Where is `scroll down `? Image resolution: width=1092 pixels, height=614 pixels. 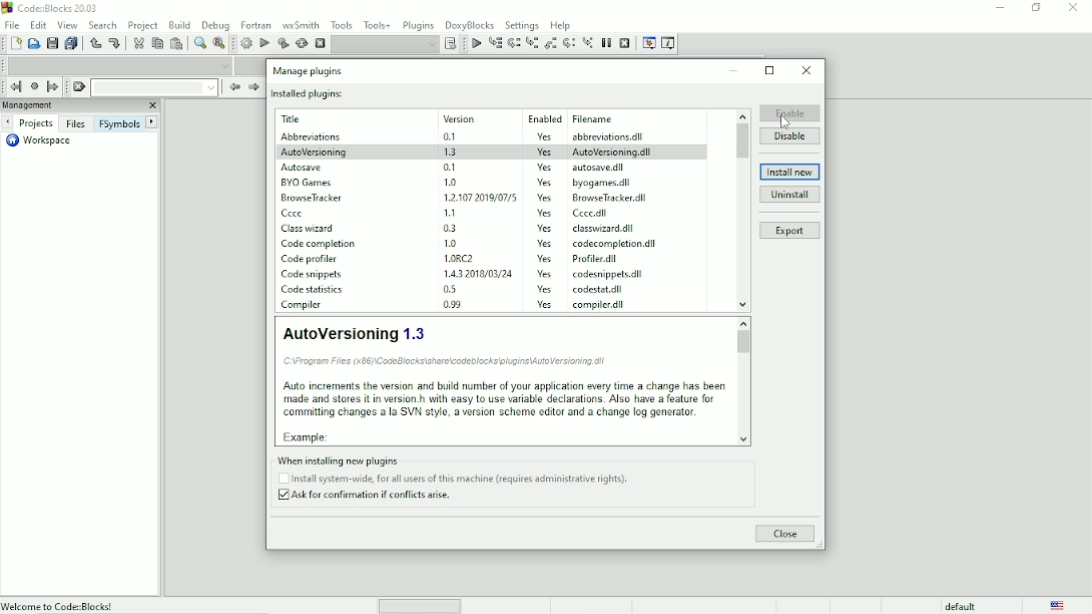 scroll down  is located at coordinates (743, 305).